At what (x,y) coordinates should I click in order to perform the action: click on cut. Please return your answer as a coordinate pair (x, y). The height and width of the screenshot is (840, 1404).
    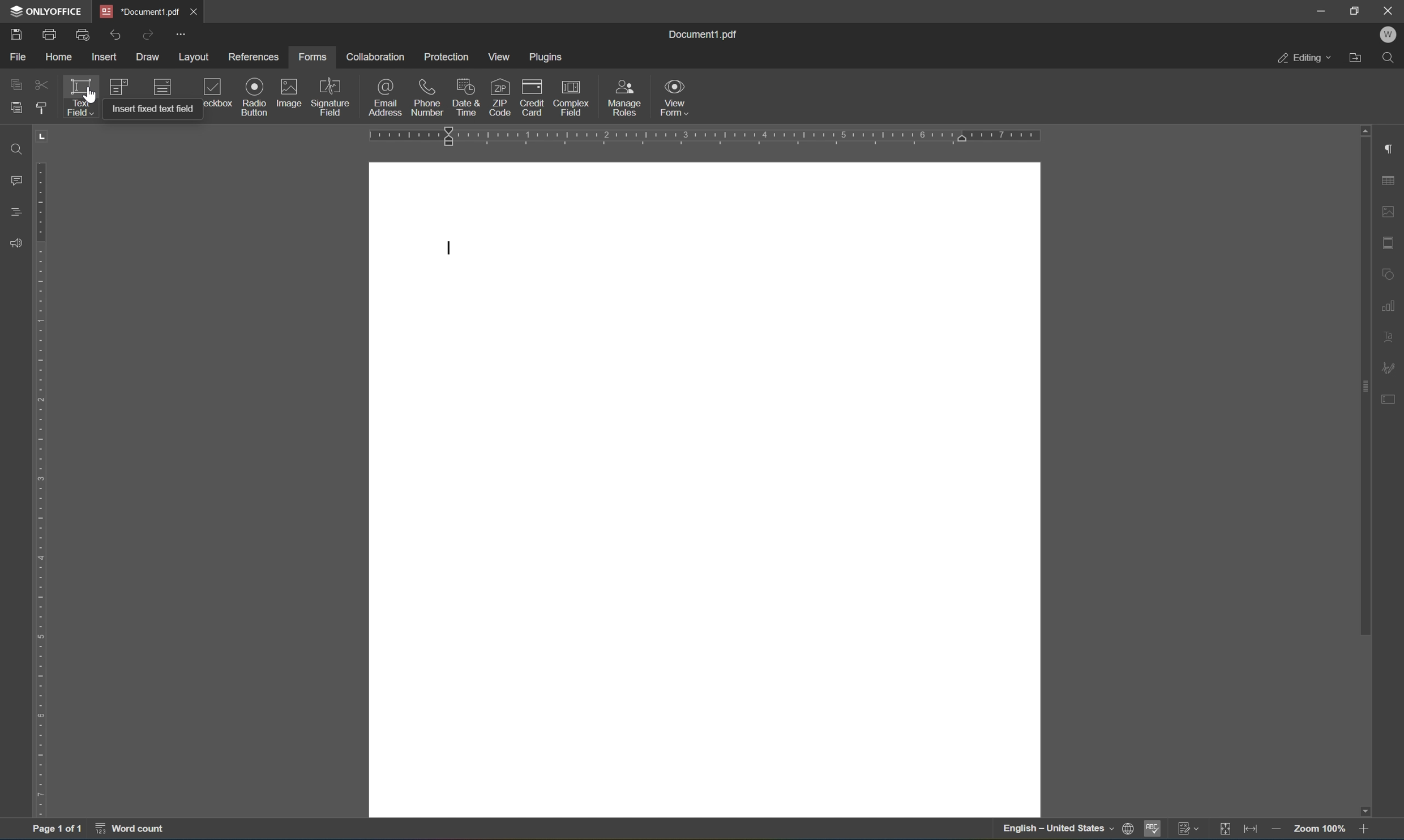
    Looking at the image, I should click on (42, 84).